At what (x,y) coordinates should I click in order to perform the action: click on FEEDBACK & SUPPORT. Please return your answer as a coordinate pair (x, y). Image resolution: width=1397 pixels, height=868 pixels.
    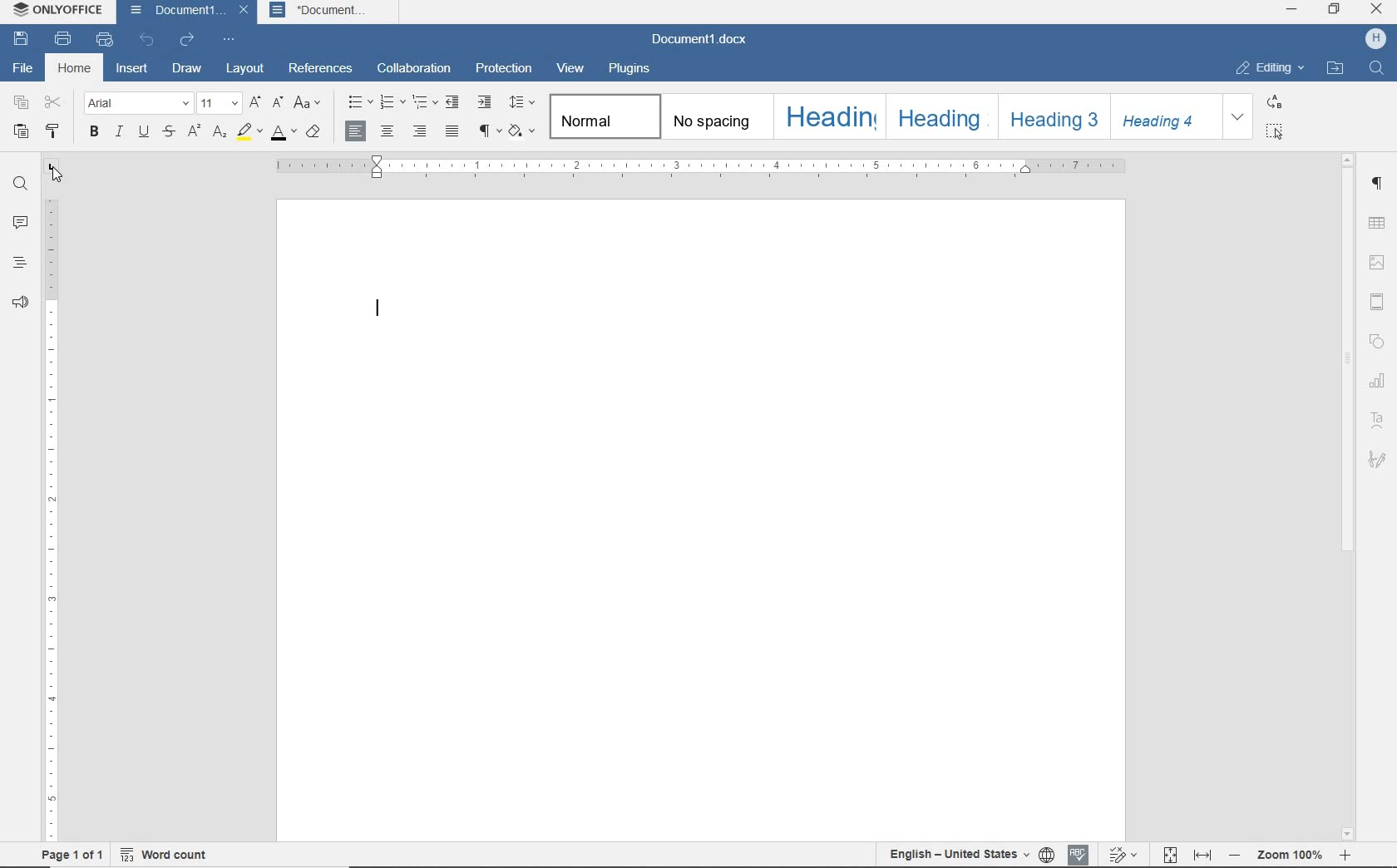
    Looking at the image, I should click on (20, 303).